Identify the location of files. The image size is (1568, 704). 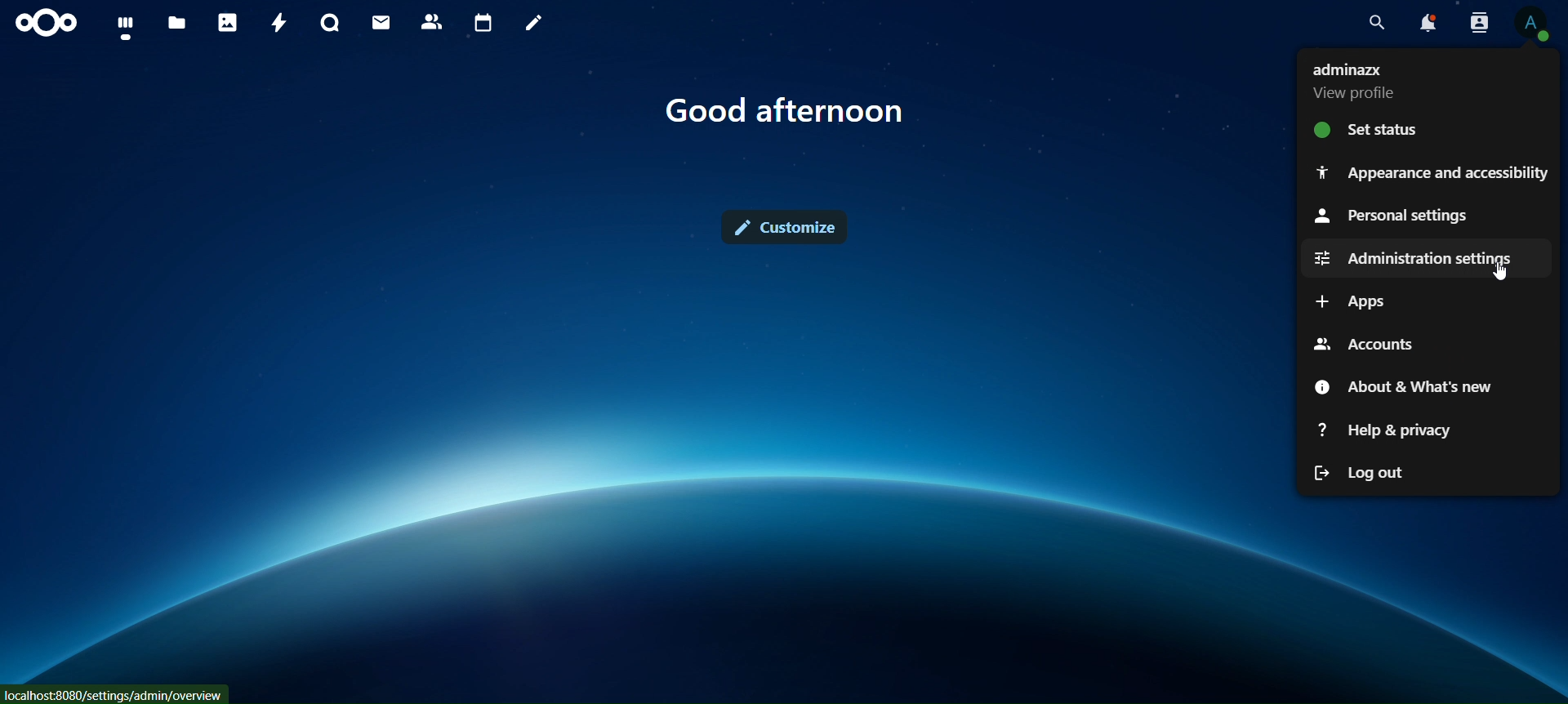
(176, 24).